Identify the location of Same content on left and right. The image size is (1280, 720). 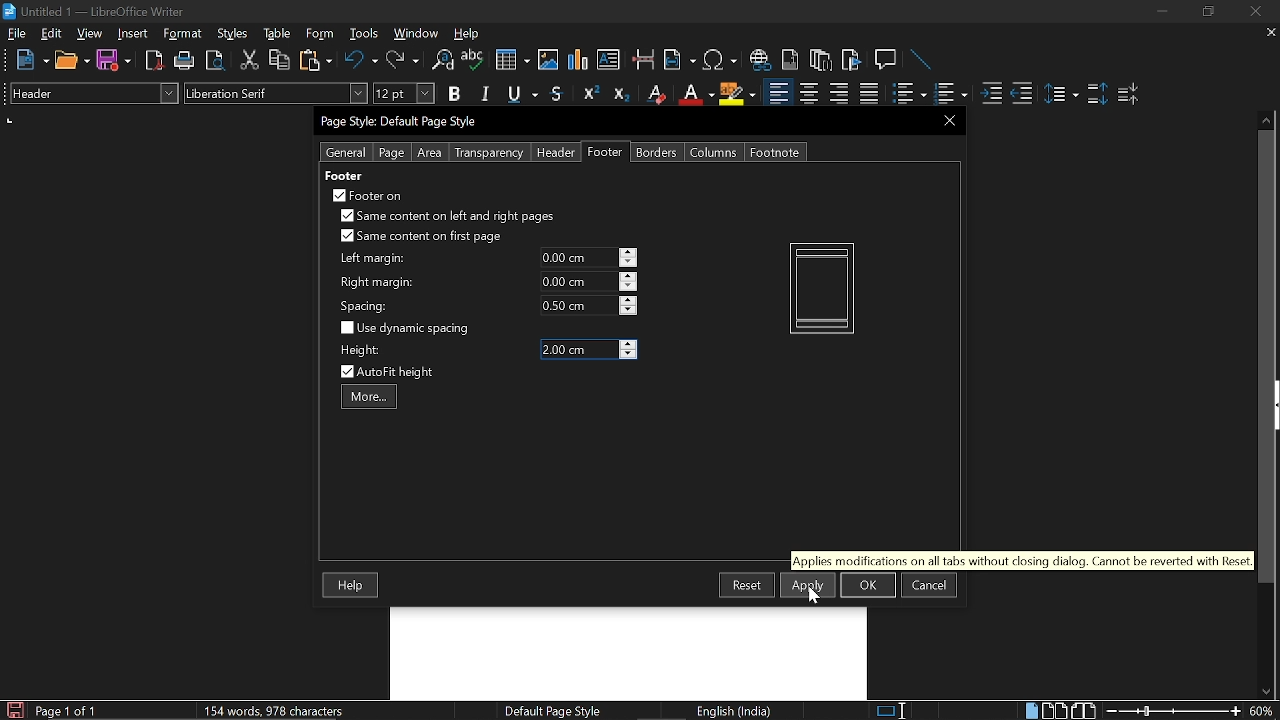
(446, 218).